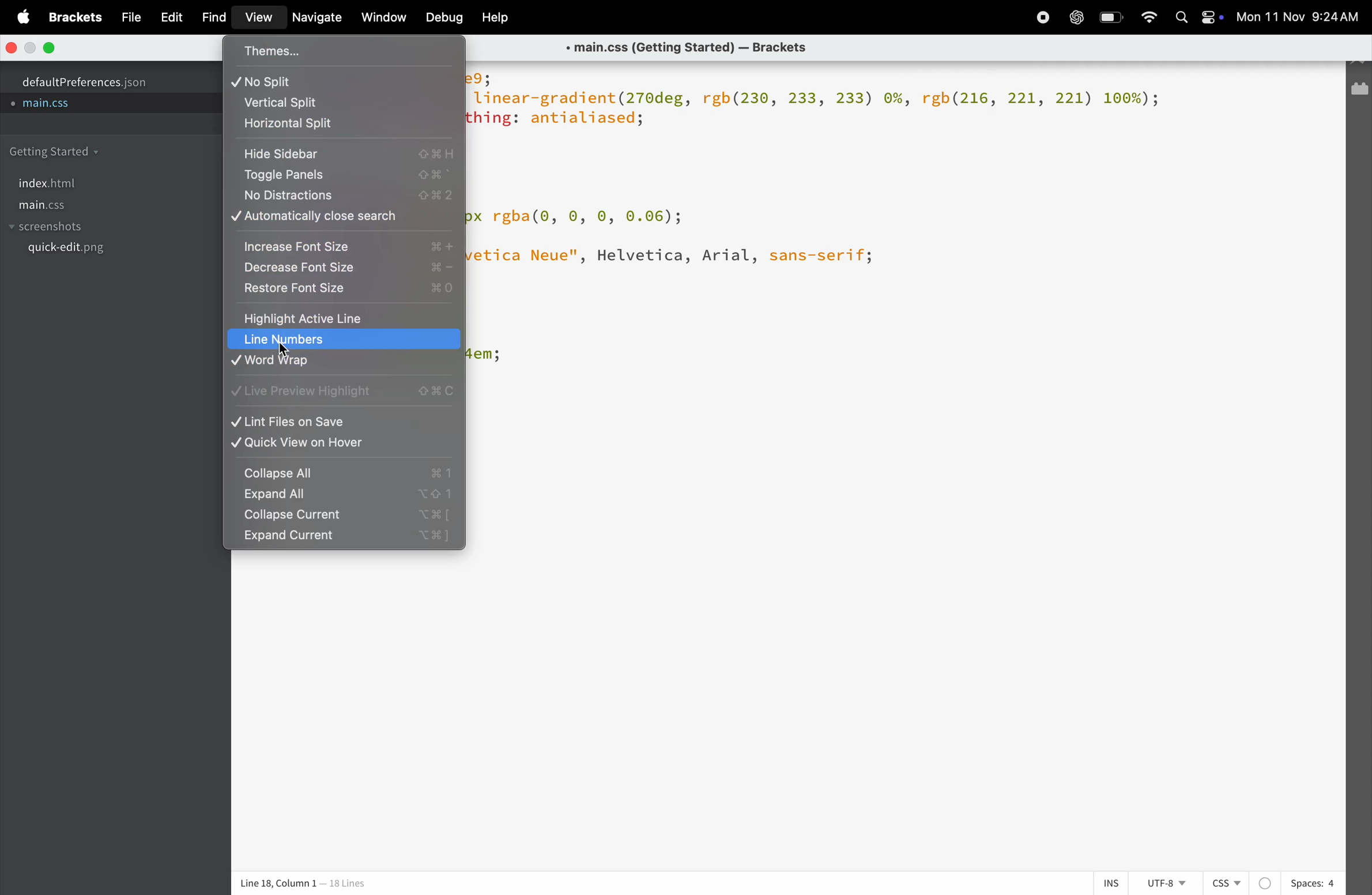 This screenshot has width=1372, height=895. Describe the element at coordinates (255, 20) in the screenshot. I see `view` at that location.